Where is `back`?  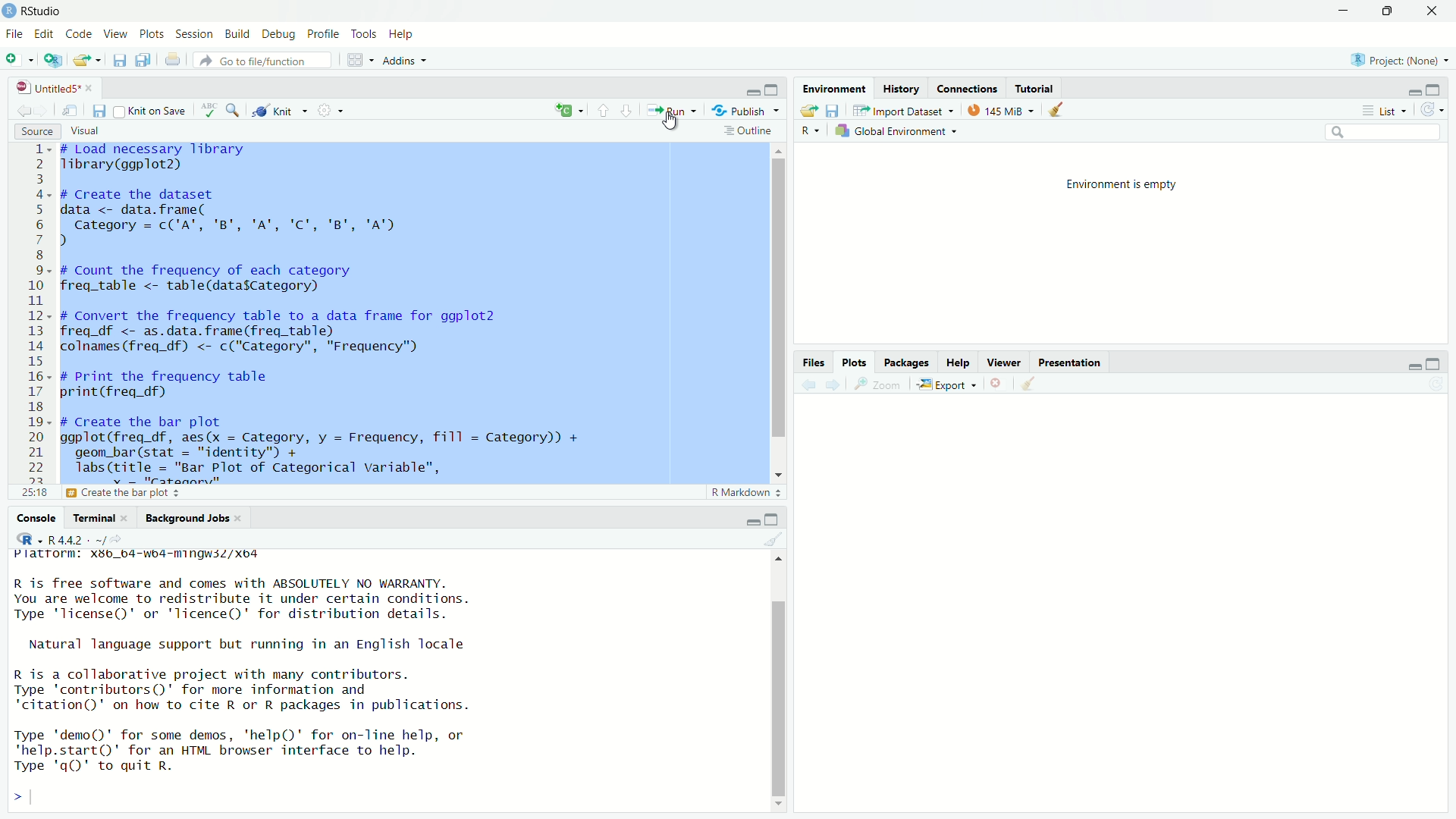
back is located at coordinates (812, 385).